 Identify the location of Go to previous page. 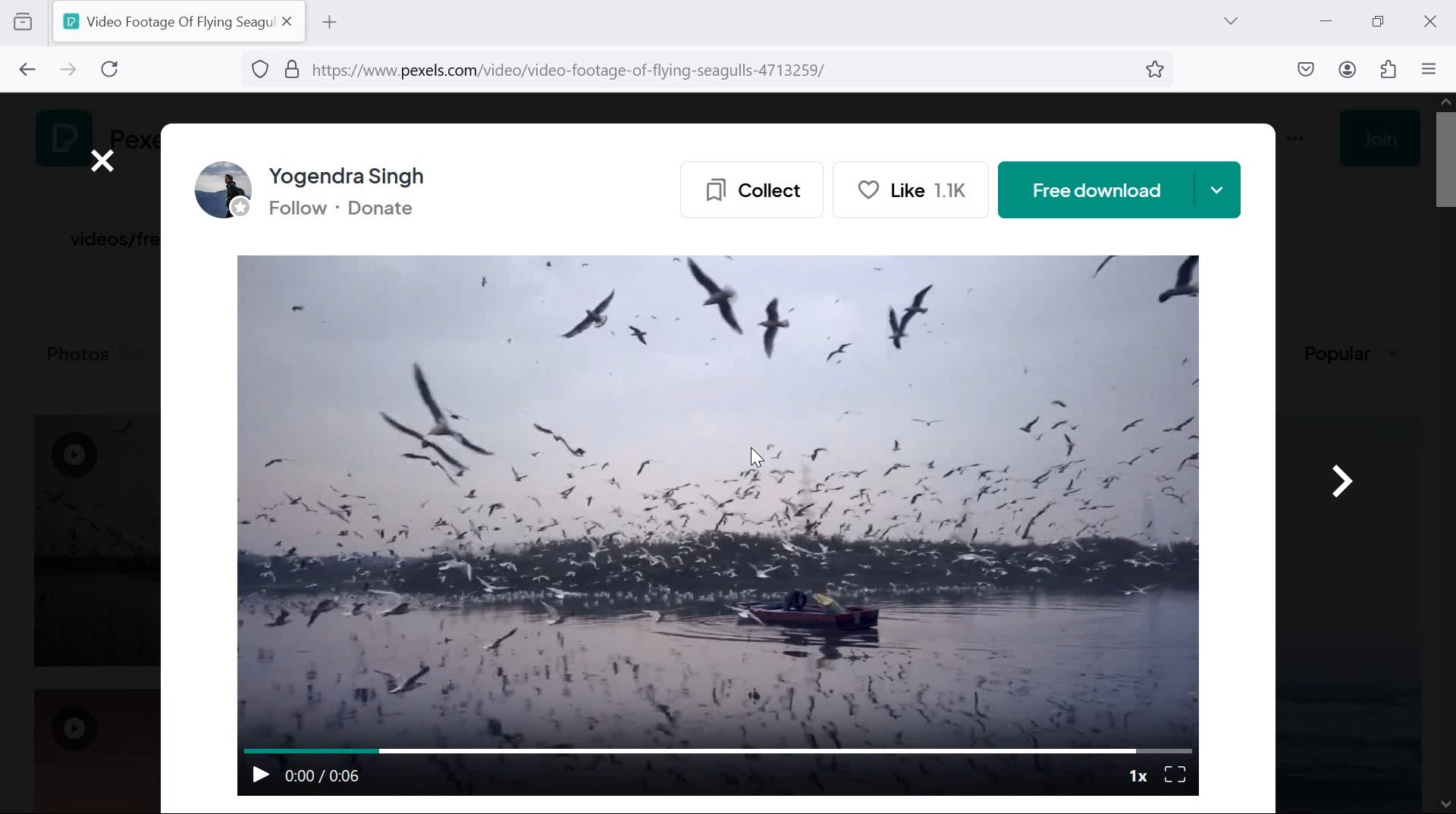
(24, 67).